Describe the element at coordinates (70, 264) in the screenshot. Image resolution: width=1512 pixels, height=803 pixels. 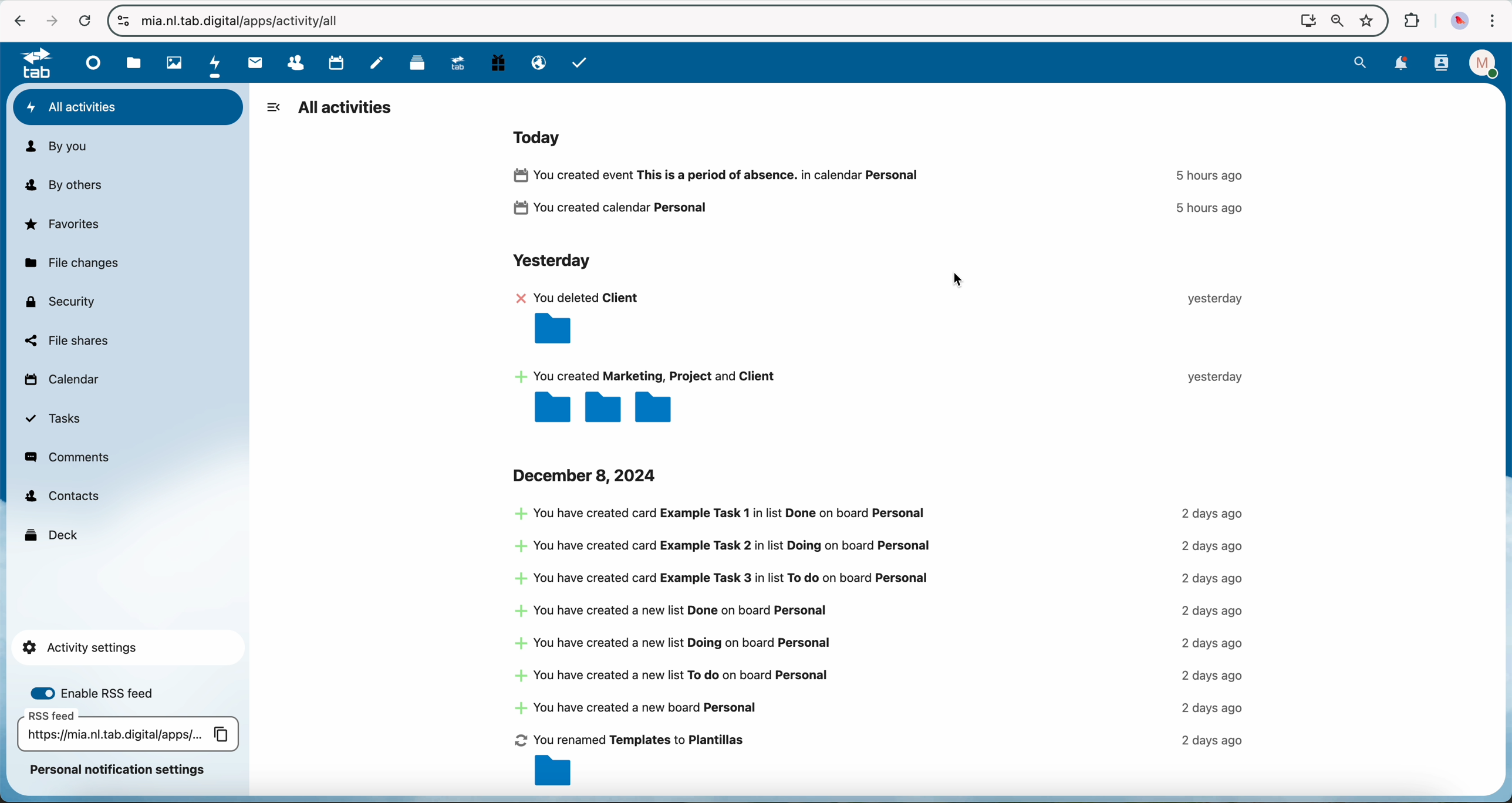
I see `file changes` at that location.